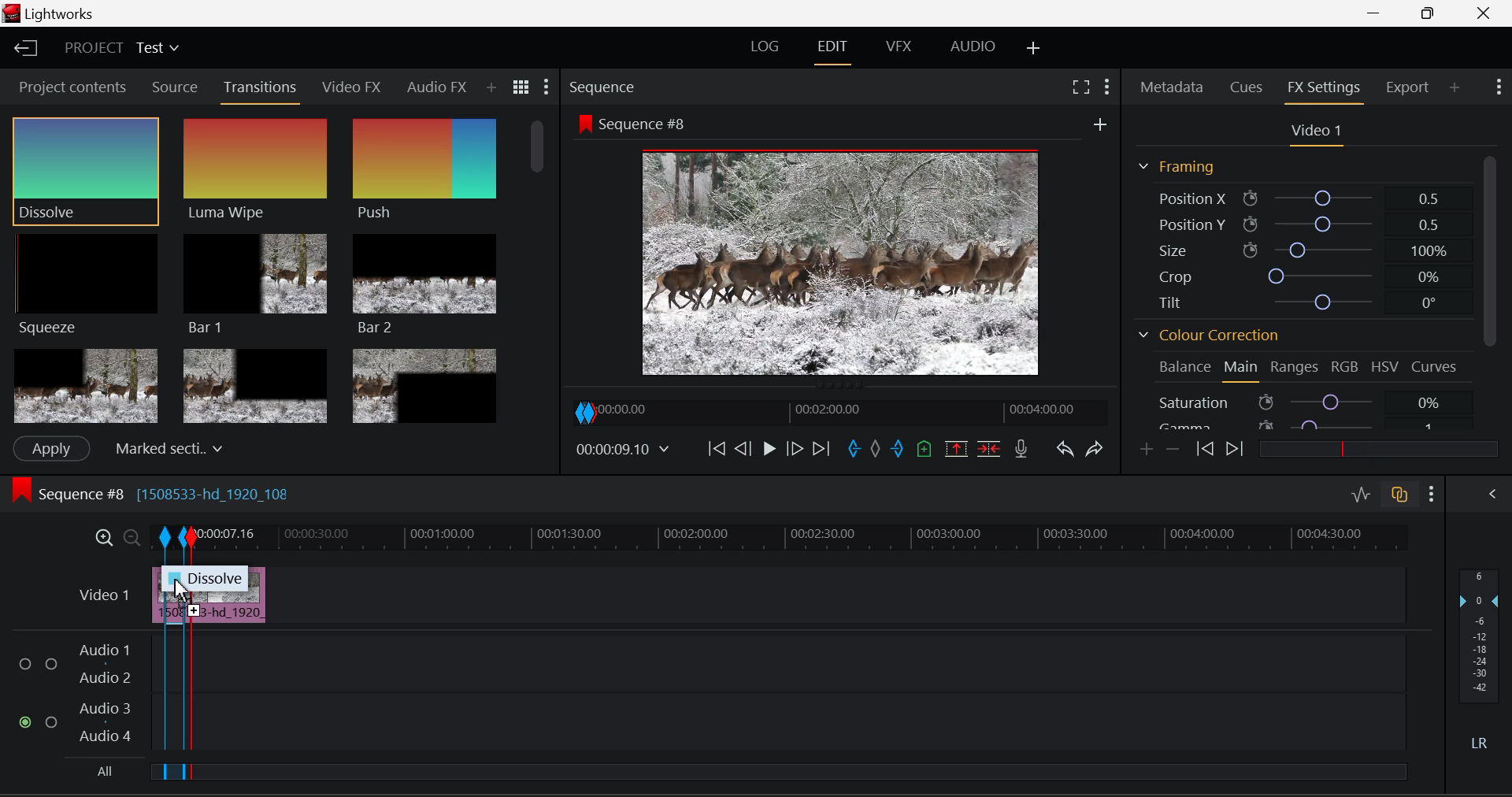 This screenshot has width=1512, height=797. What do you see at coordinates (106, 736) in the screenshot?
I see `Audio 4` at bounding box center [106, 736].